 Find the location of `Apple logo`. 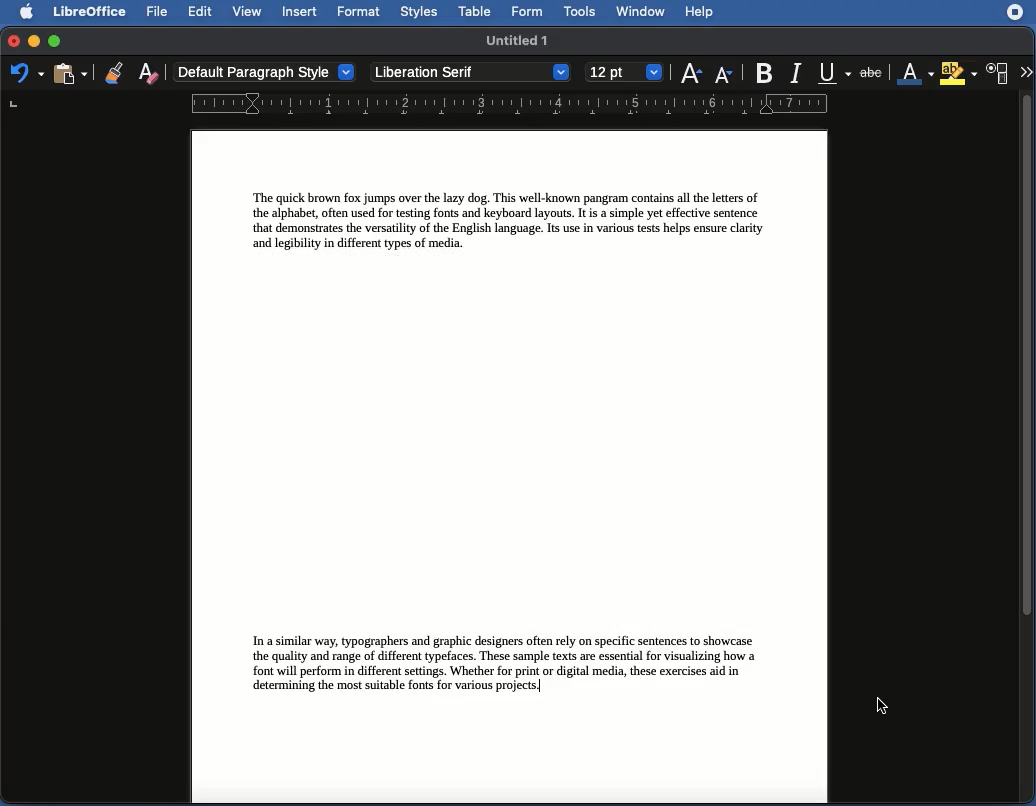

Apple logo is located at coordinates (21, 11).